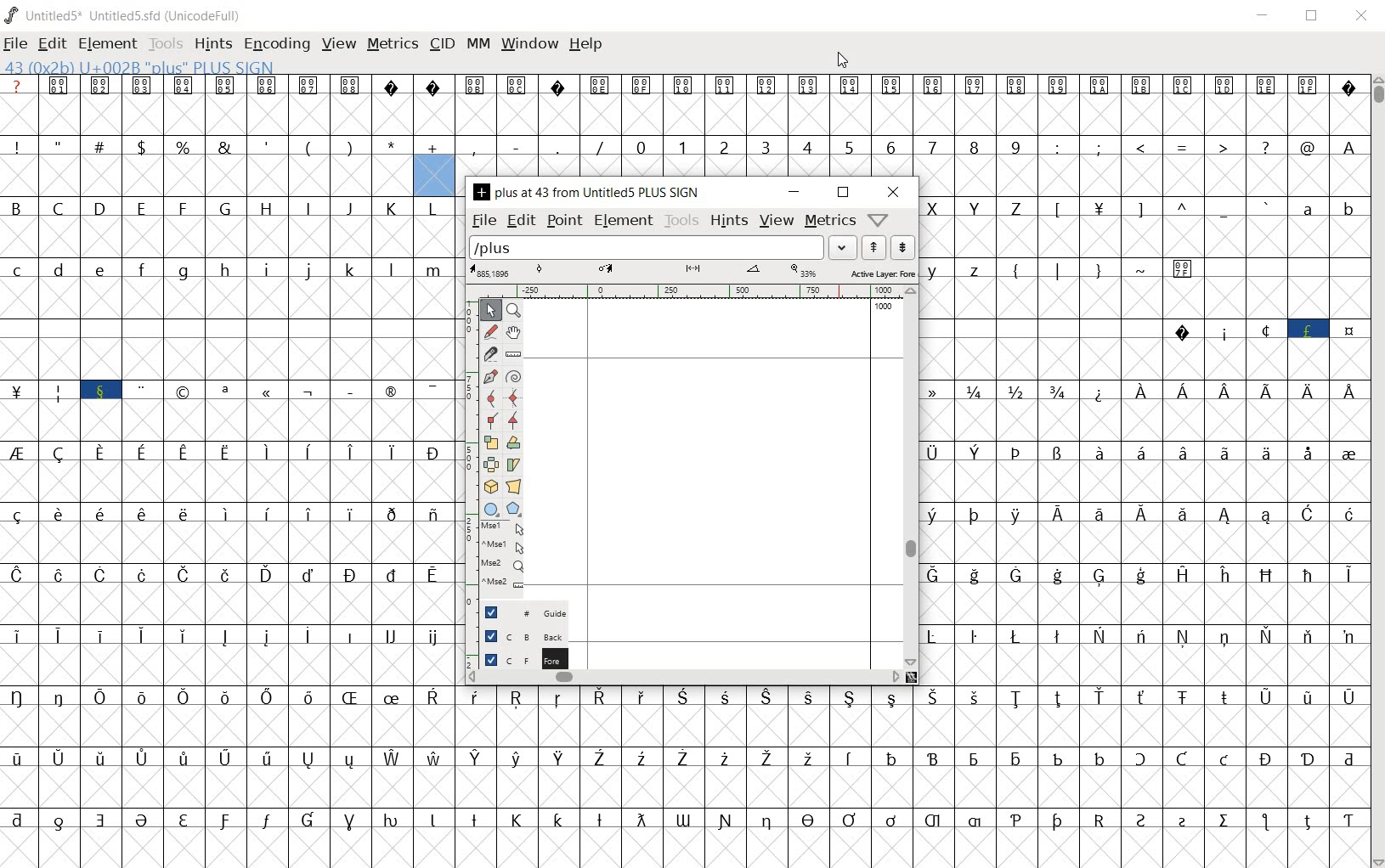 This screenshot has width=1385, height=868. Describe the element at coordinates (415, 779) in the screenshot. I see `accented letters` at that location.